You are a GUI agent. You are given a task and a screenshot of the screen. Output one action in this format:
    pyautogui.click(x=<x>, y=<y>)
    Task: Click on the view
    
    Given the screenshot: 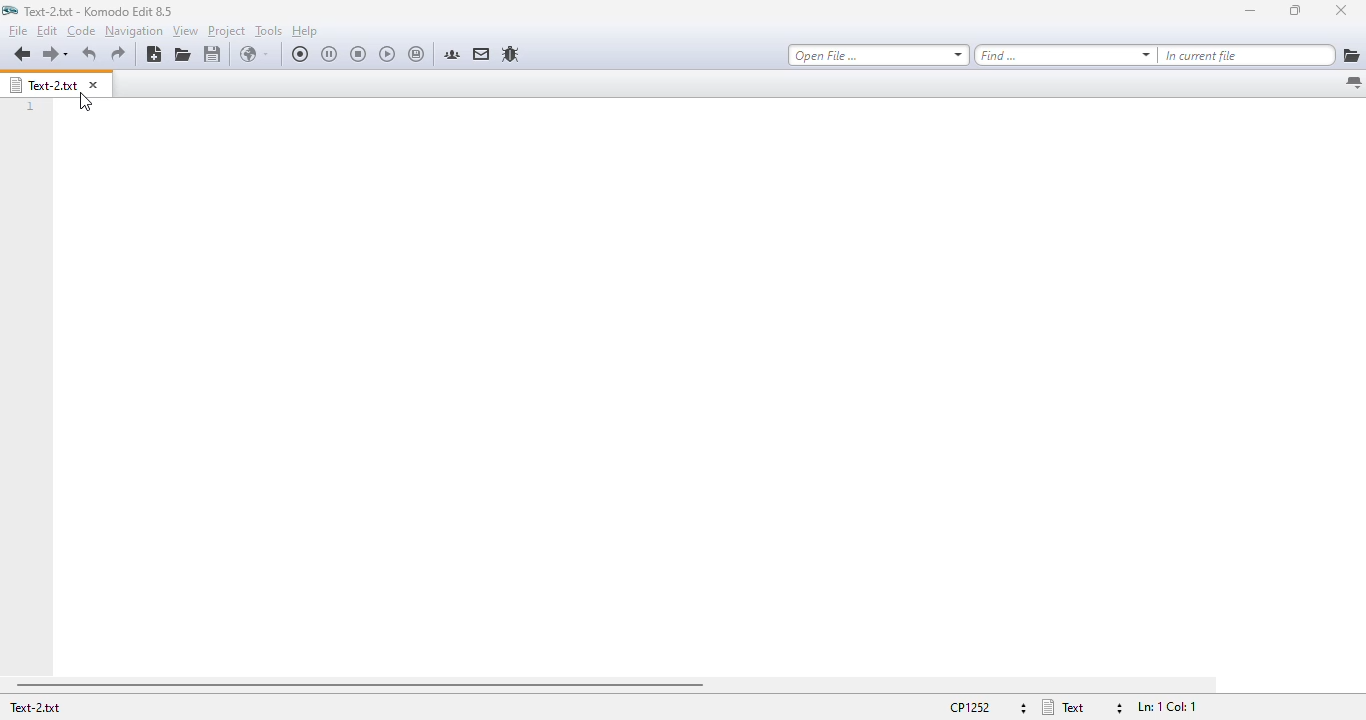 What is the action you would take?
    pyautogui.click(x=184, y=31)
    